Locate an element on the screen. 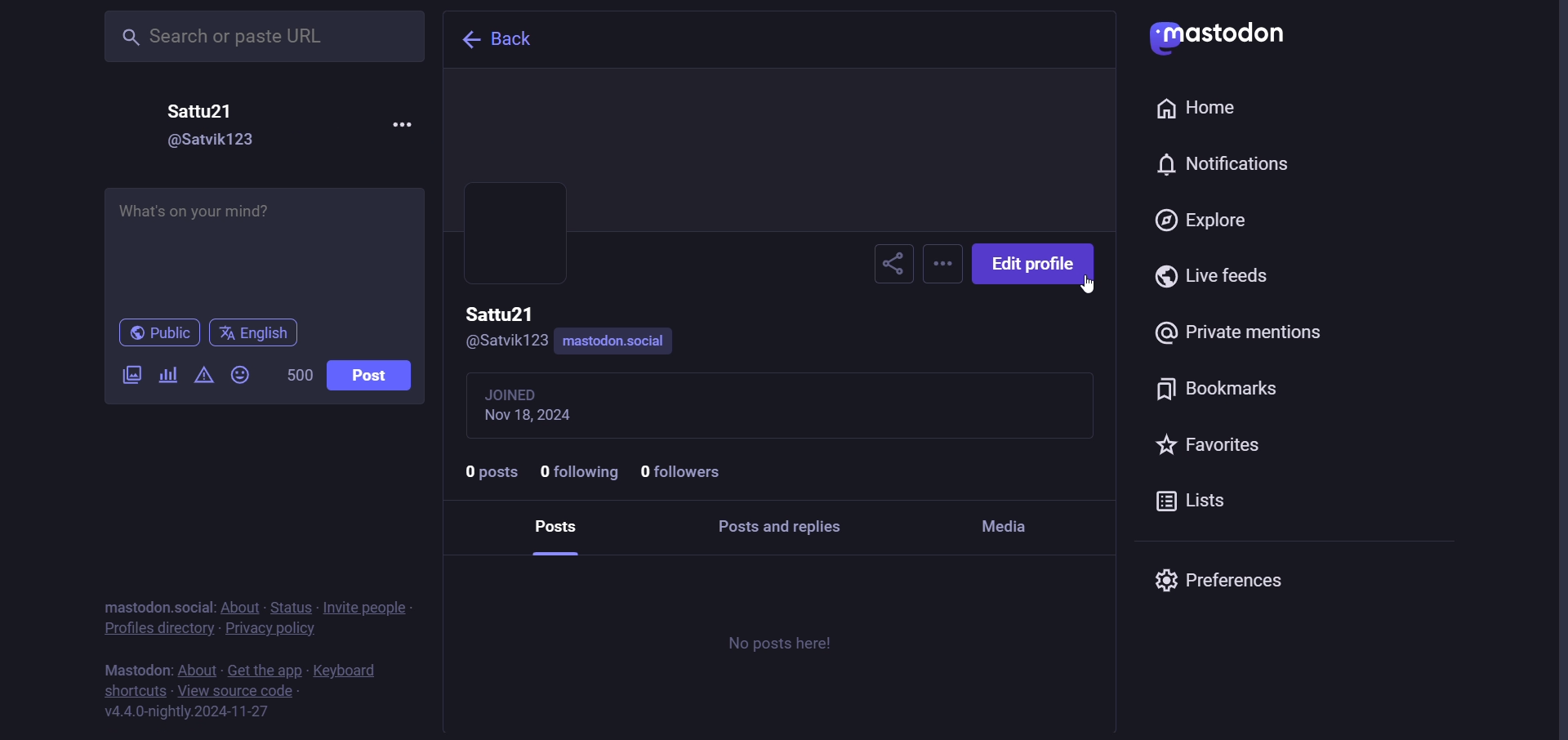 The image size is (1568, 740). shortcuts is located at coordinates (136, 690).